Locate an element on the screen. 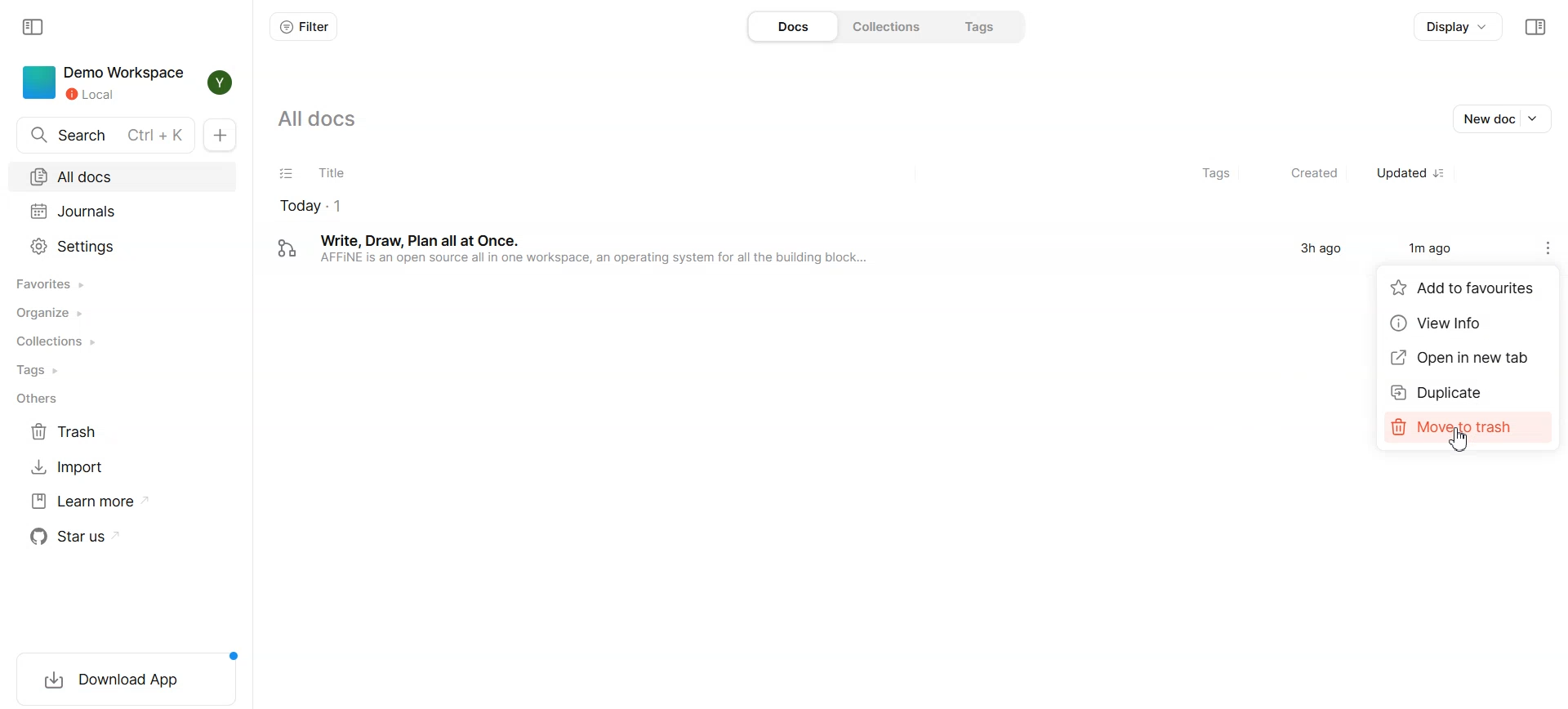 The width and height of the screenshot is (1568, 709). Open in new tab is located at coordinates (1469, 359).